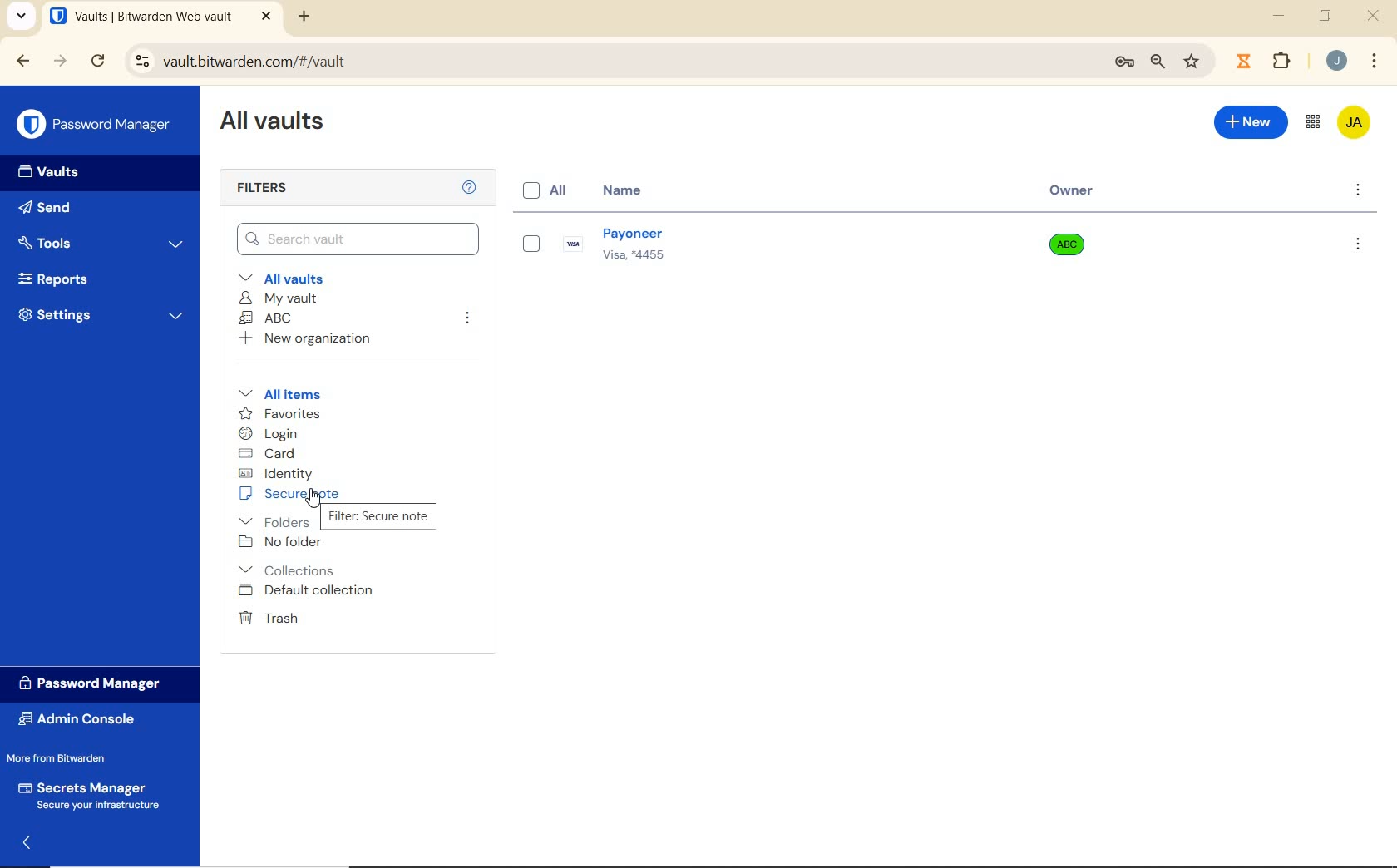  I want to click on toggle between admin console and password manager, so click(1313, 123).